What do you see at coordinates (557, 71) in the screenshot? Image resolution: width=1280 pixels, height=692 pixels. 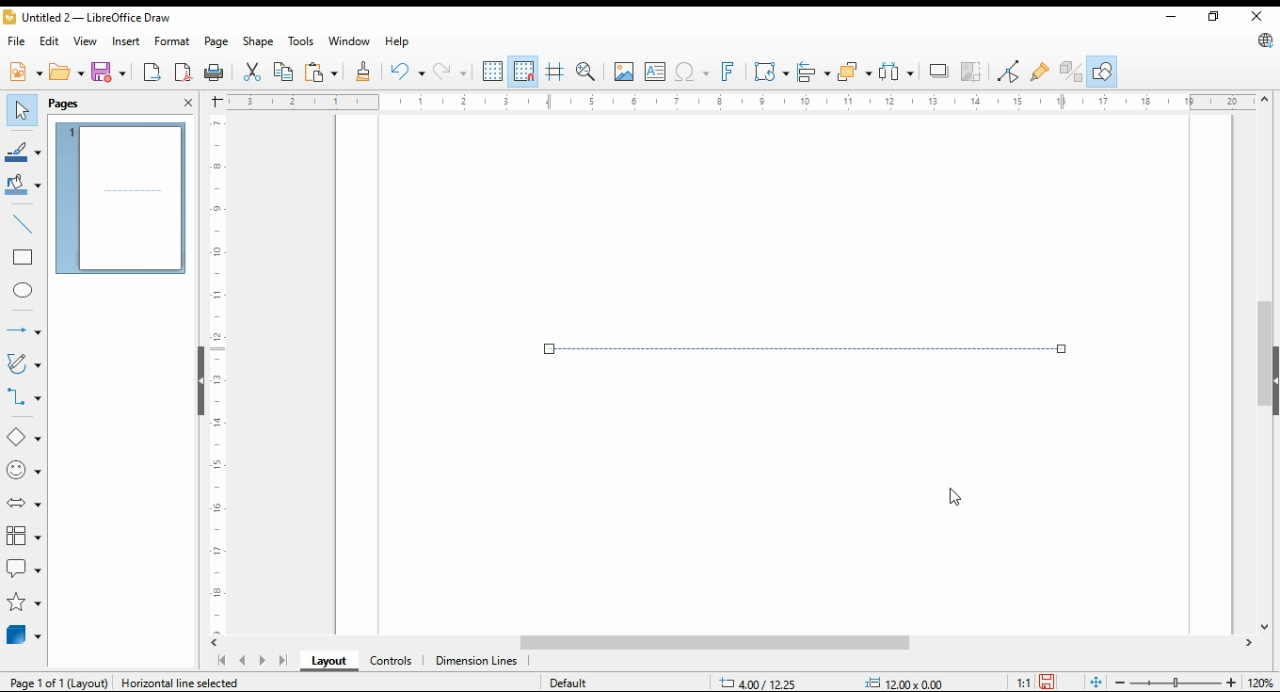 I see `helplines while moving` at bounding box center [557, 71].